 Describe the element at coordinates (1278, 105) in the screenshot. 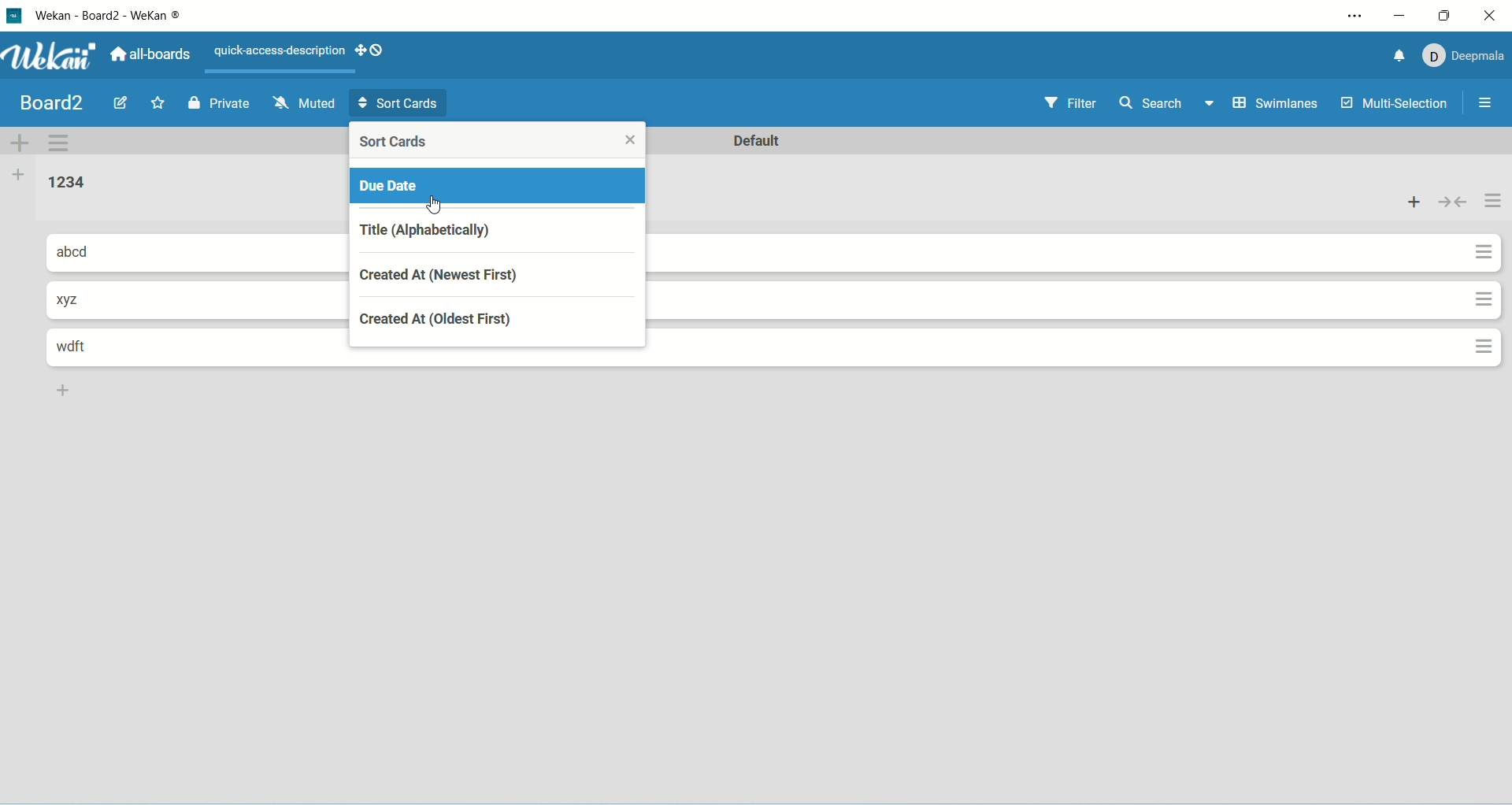

I see `swimlanes` at that location.